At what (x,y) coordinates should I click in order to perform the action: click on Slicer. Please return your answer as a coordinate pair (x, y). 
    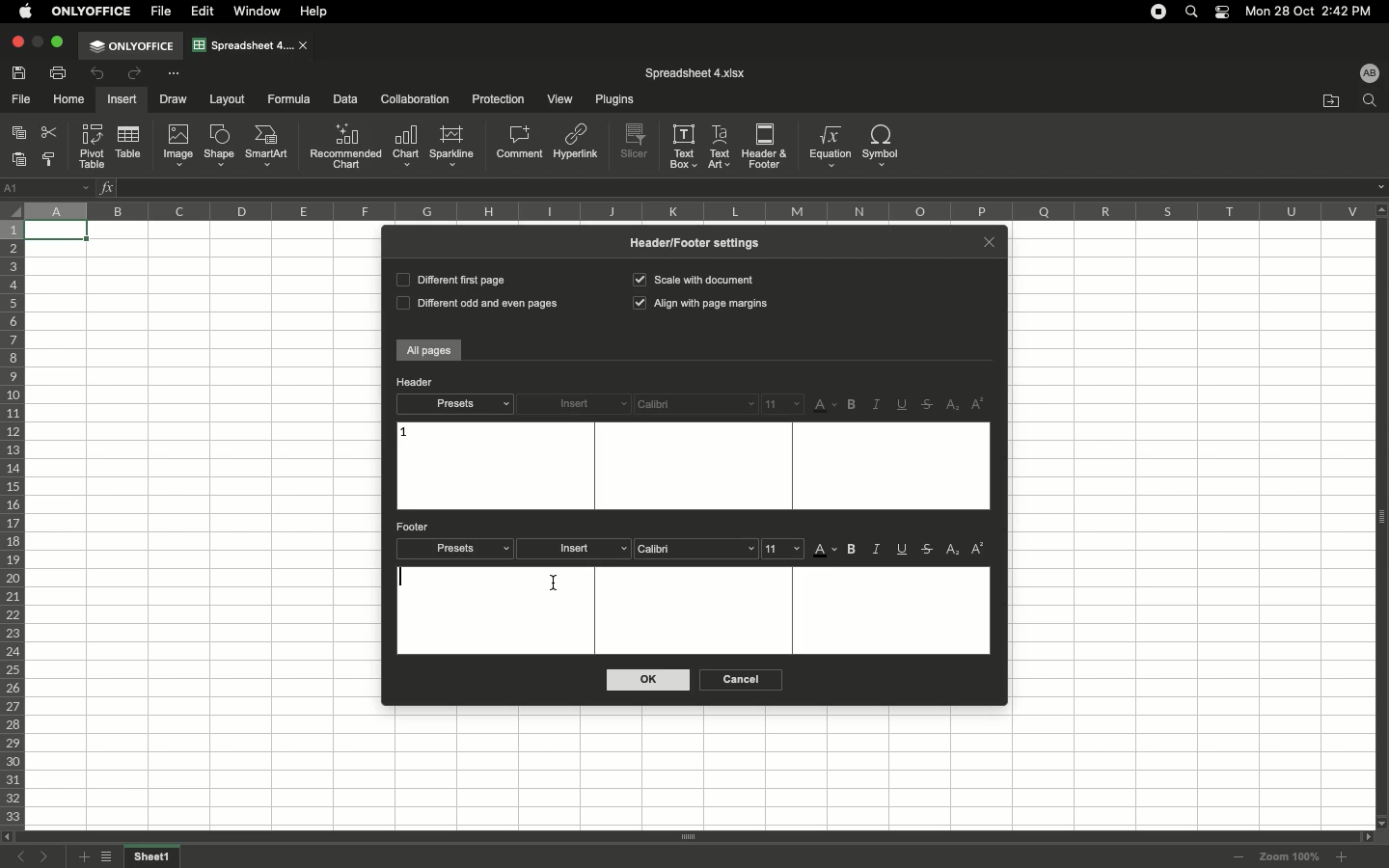
    Looking at the image, I should click on (637, 142).